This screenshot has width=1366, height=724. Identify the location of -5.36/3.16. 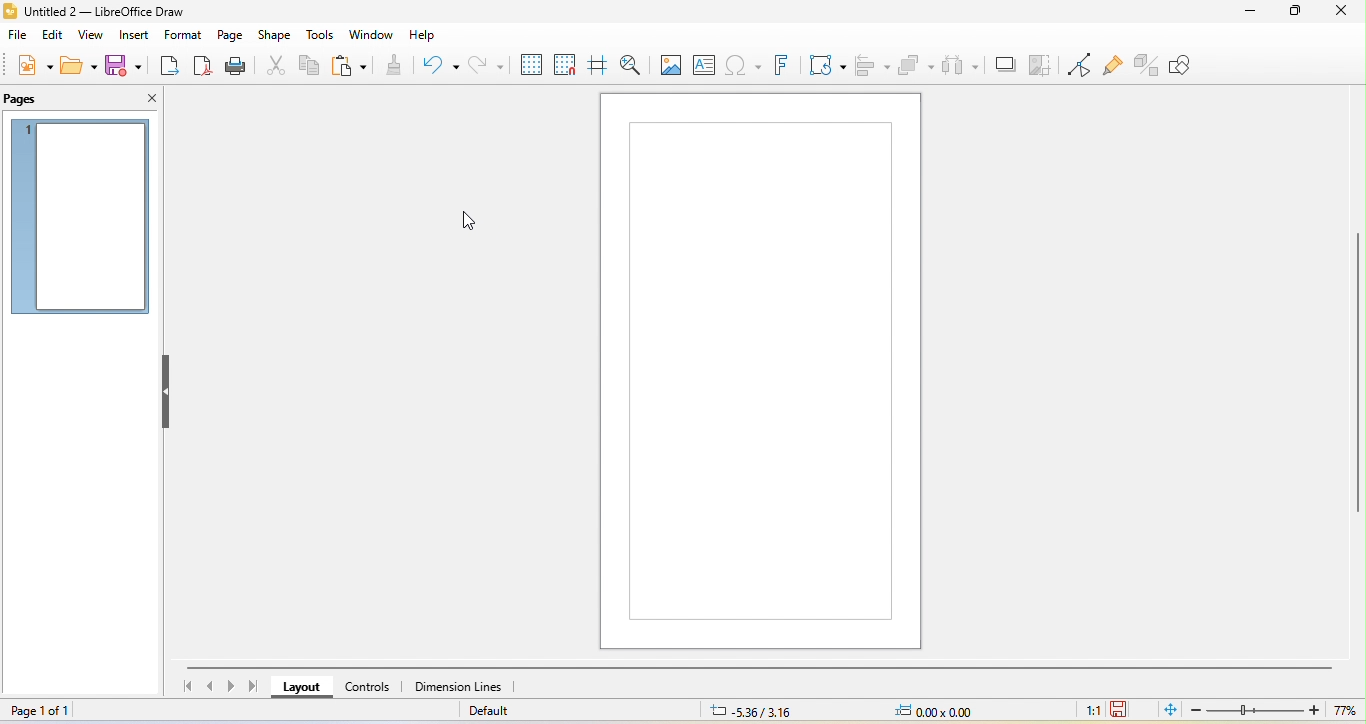
(753, 711).